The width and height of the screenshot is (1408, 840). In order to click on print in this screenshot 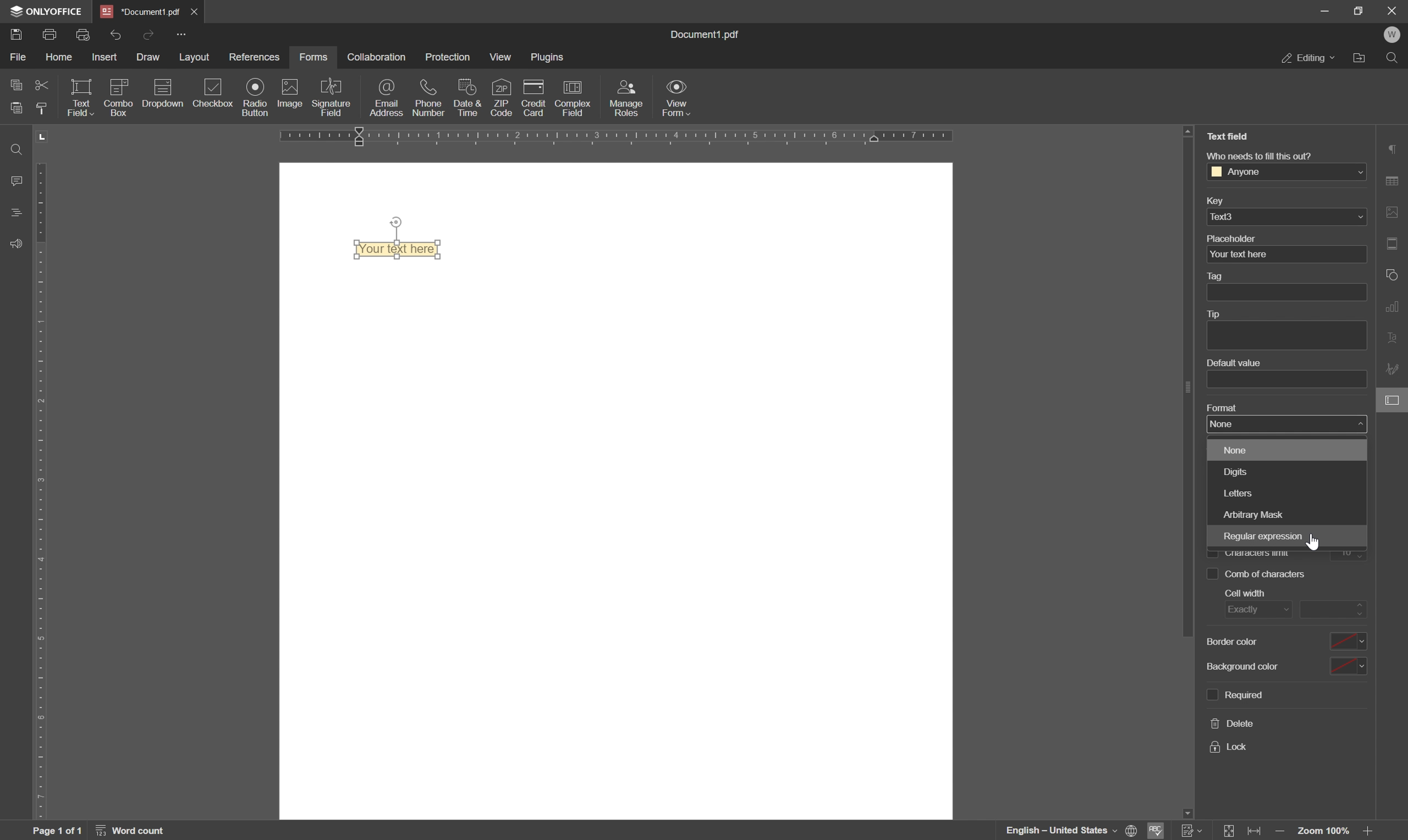, I will do `click(51, 36)`.